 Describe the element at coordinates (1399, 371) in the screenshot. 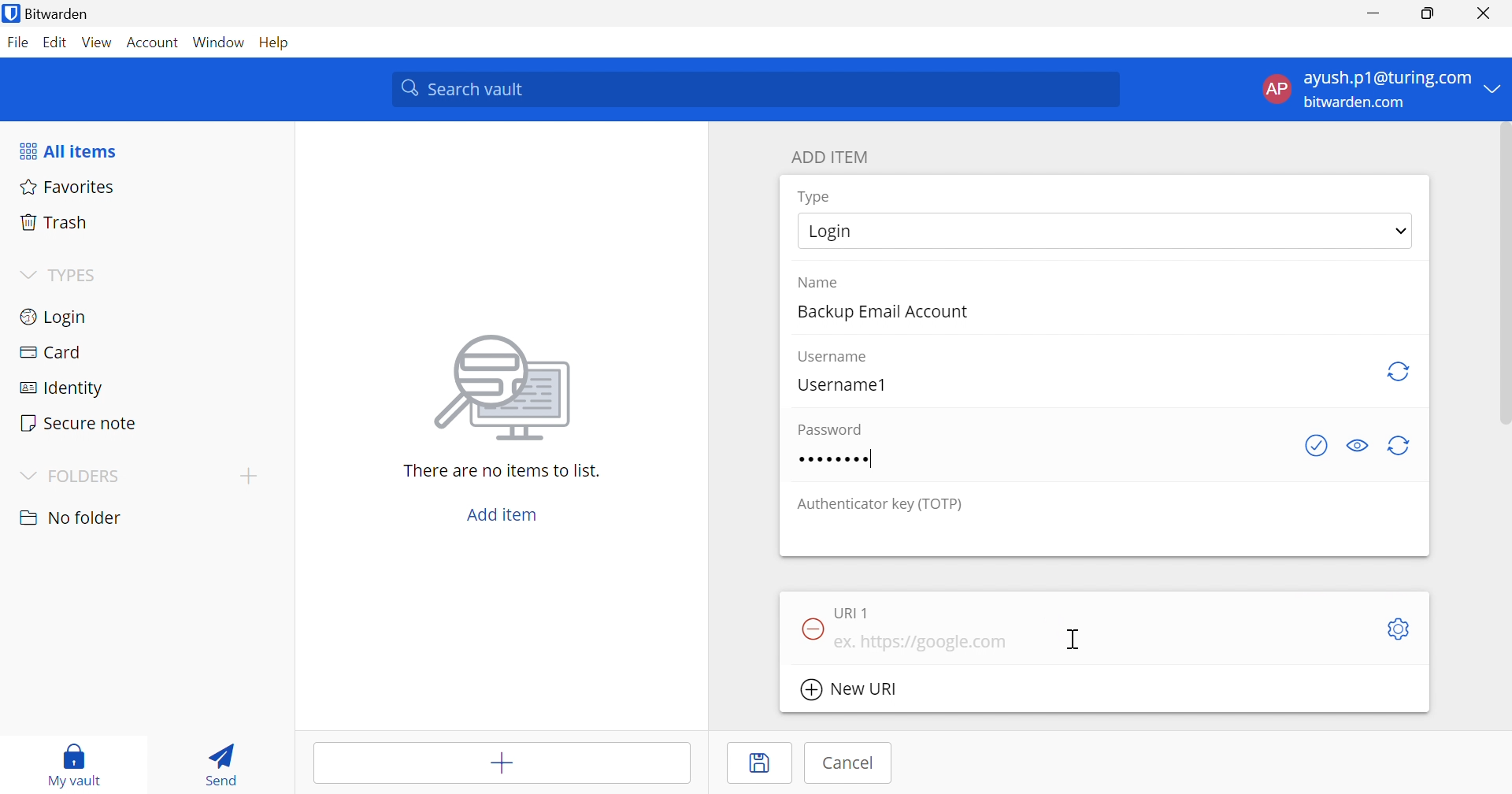

I see `Generate password` at that location.